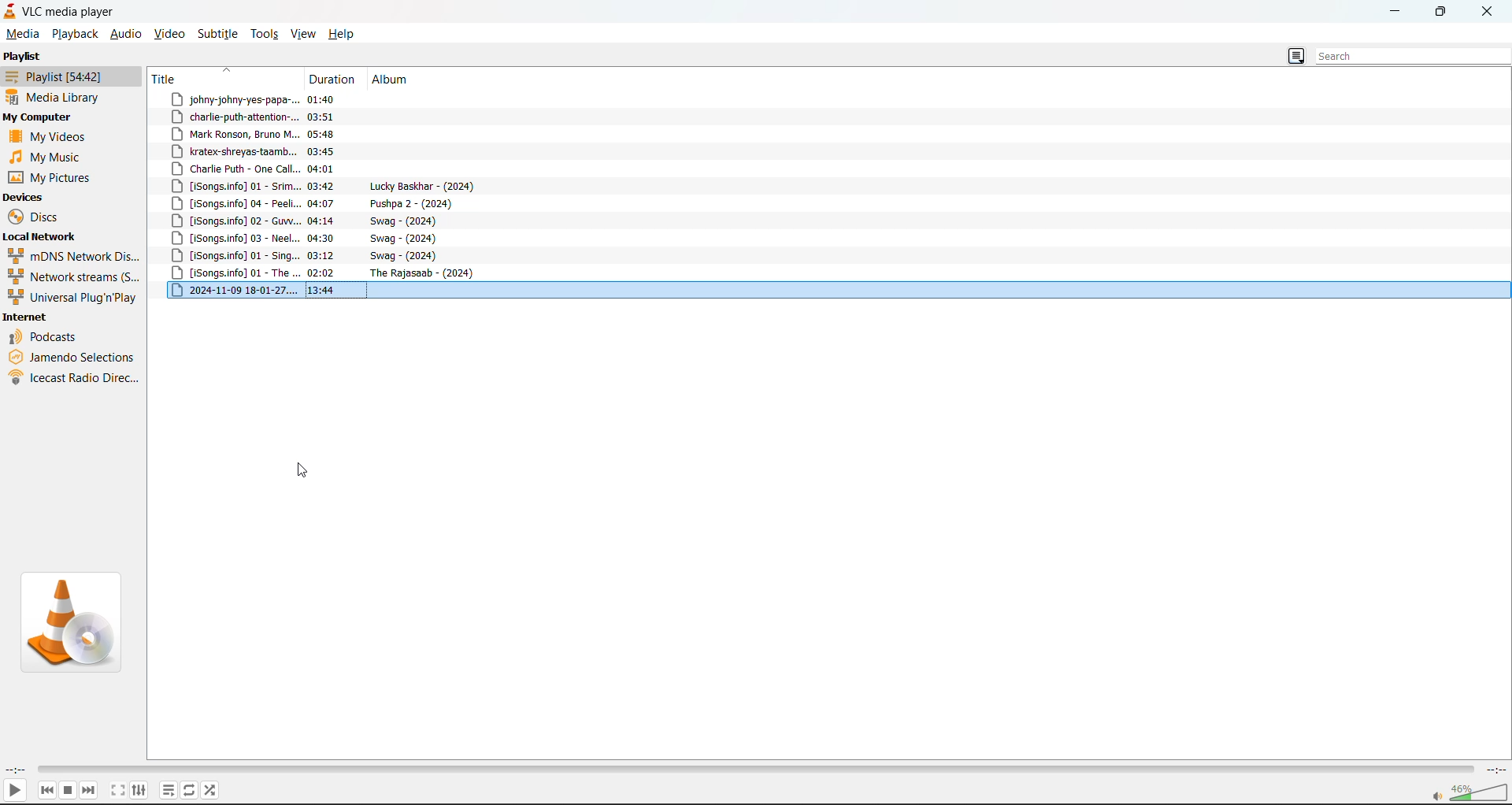  Describe the element at coordinates (139, 789) in the screenshot. I see `settings` at that location.